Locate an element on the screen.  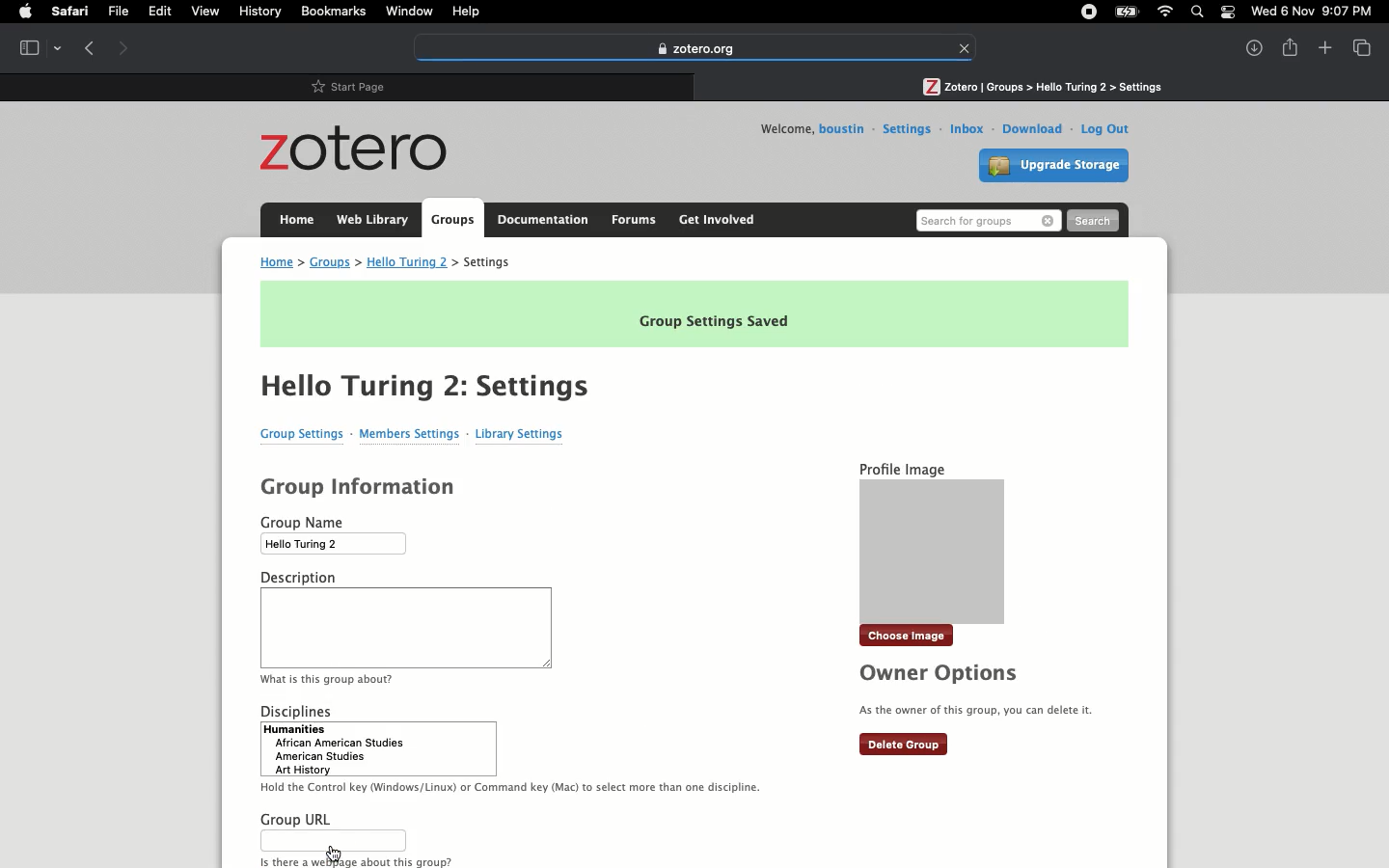
New tab is located at coordinates (1323, 48).